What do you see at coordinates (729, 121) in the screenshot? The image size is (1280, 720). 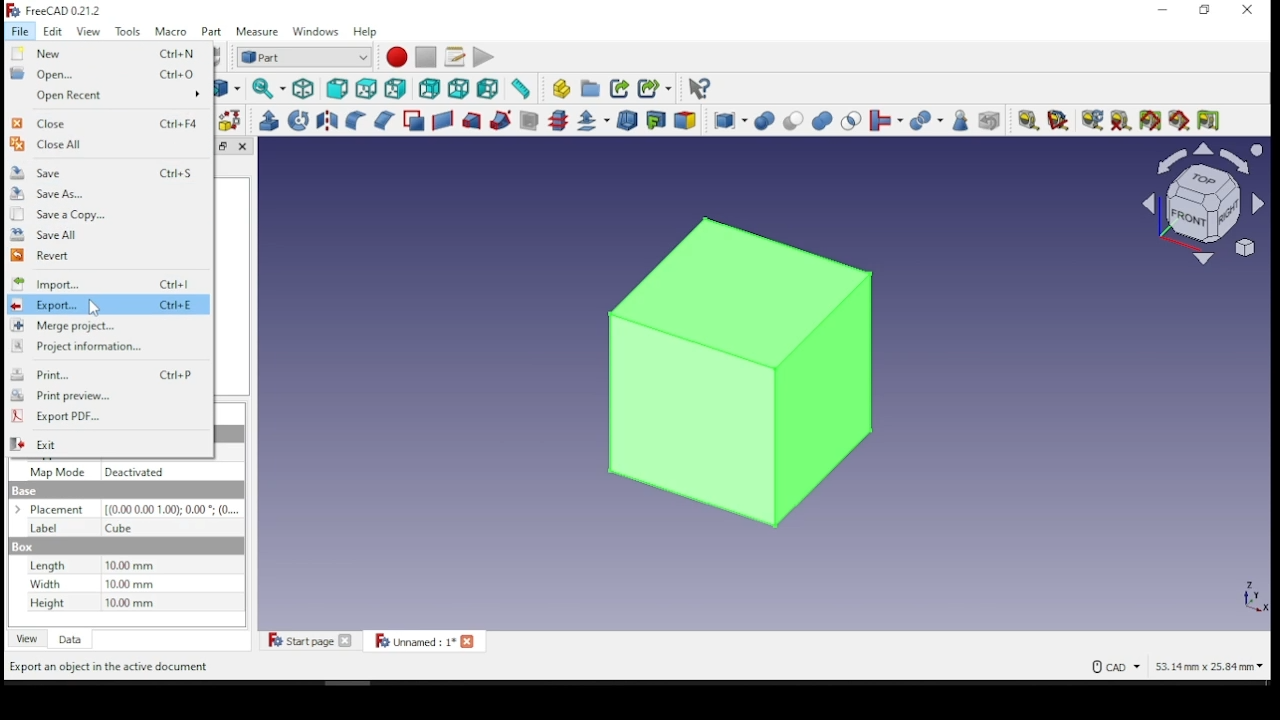 I see `compound tools` at bounding box center [729, 121].